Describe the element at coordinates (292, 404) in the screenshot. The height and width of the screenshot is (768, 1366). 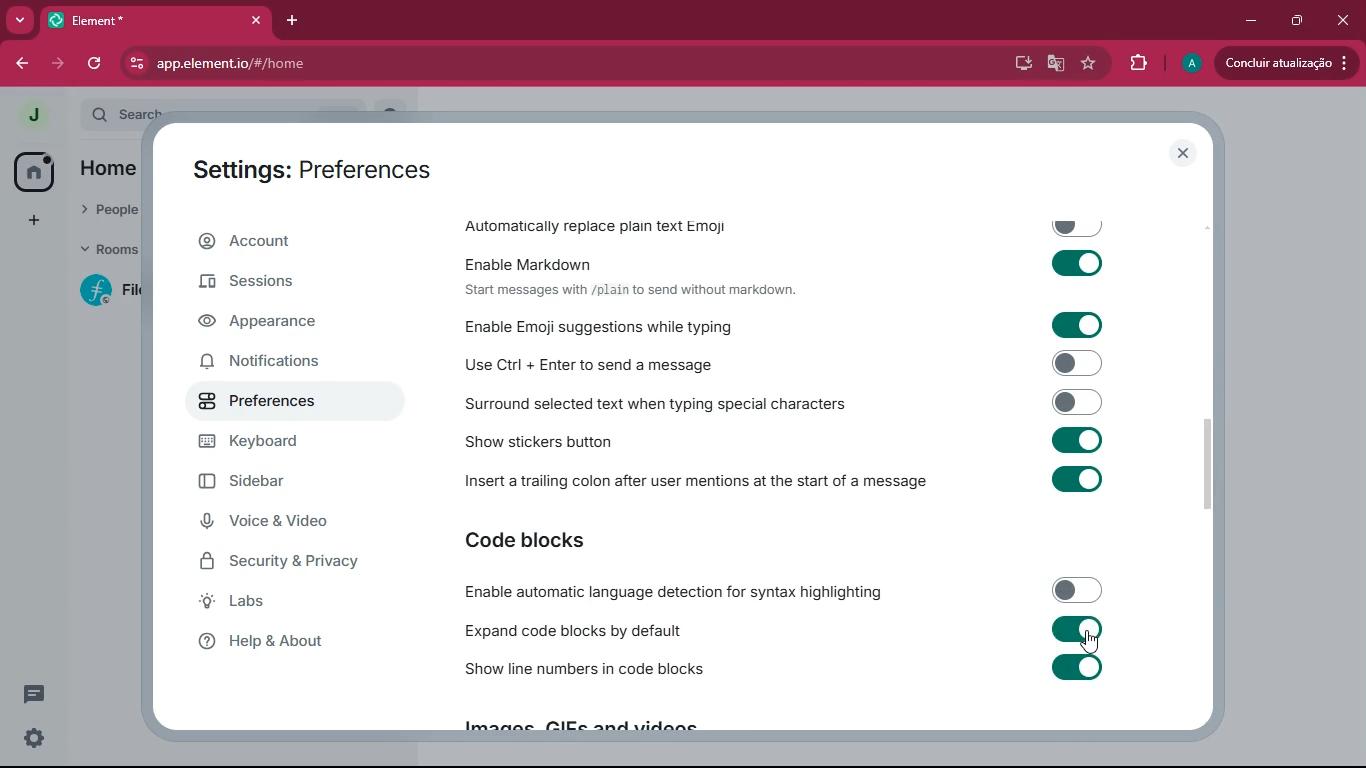
I see `preferences` at that location.